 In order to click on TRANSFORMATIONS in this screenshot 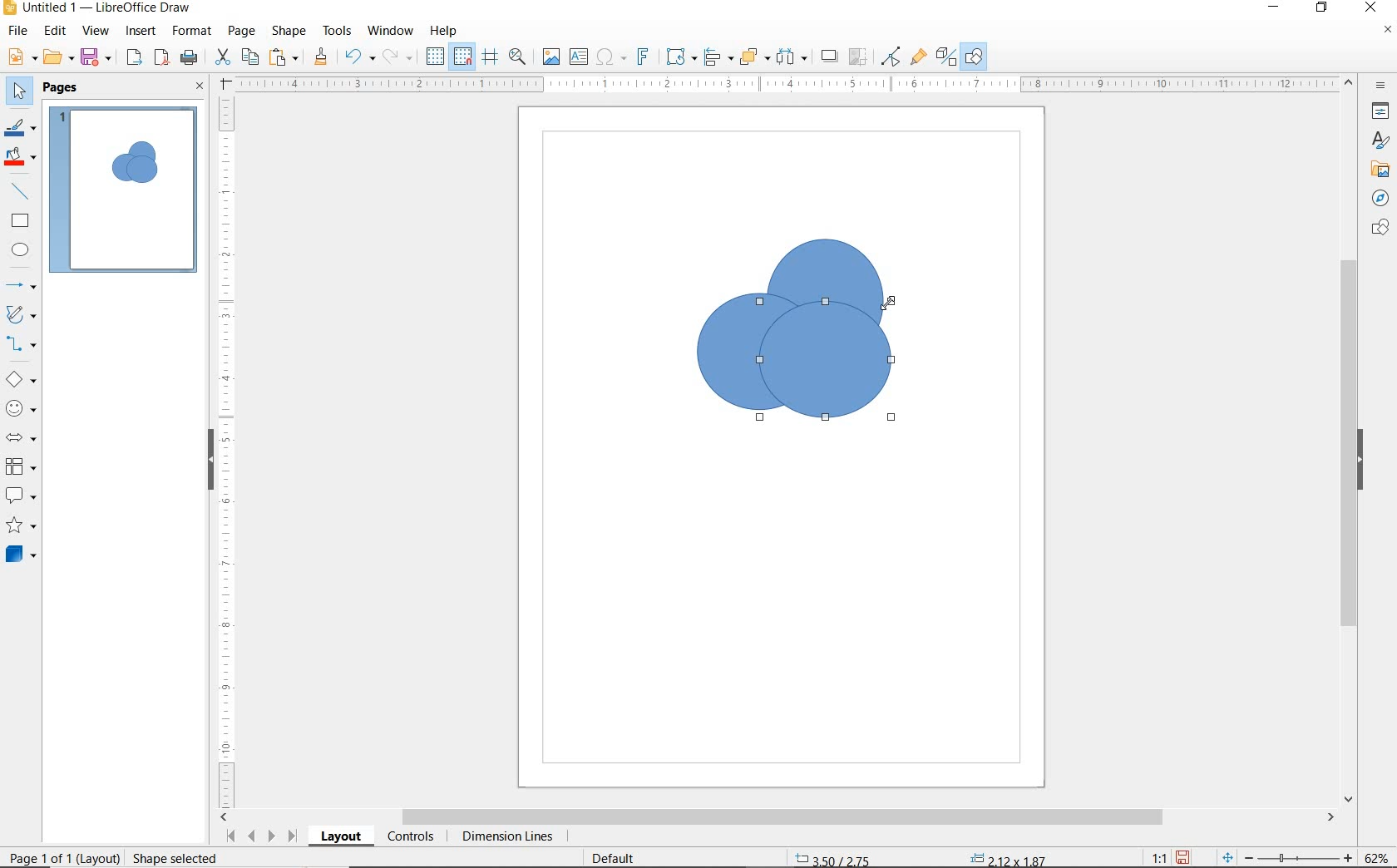, I will do `click(679, 57)`.